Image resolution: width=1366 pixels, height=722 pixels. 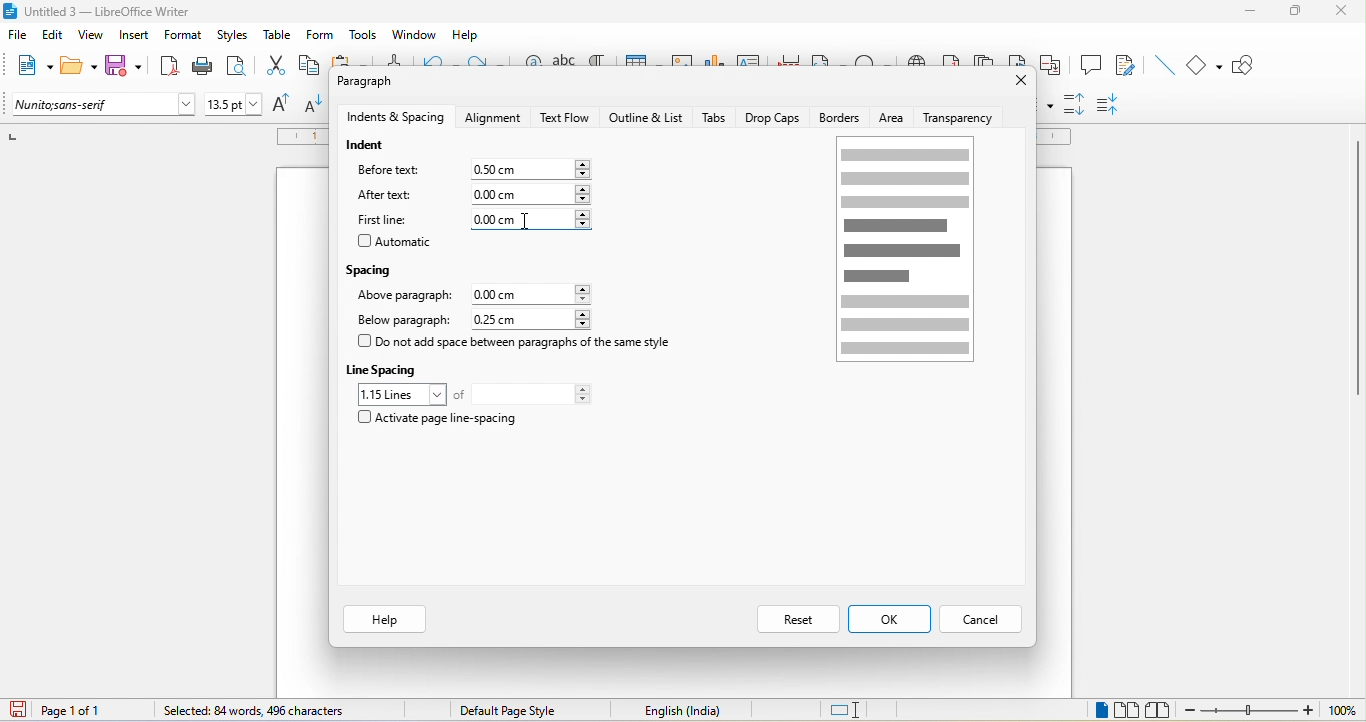 I want to click on 0.00cm, so click(x=518, y=221).